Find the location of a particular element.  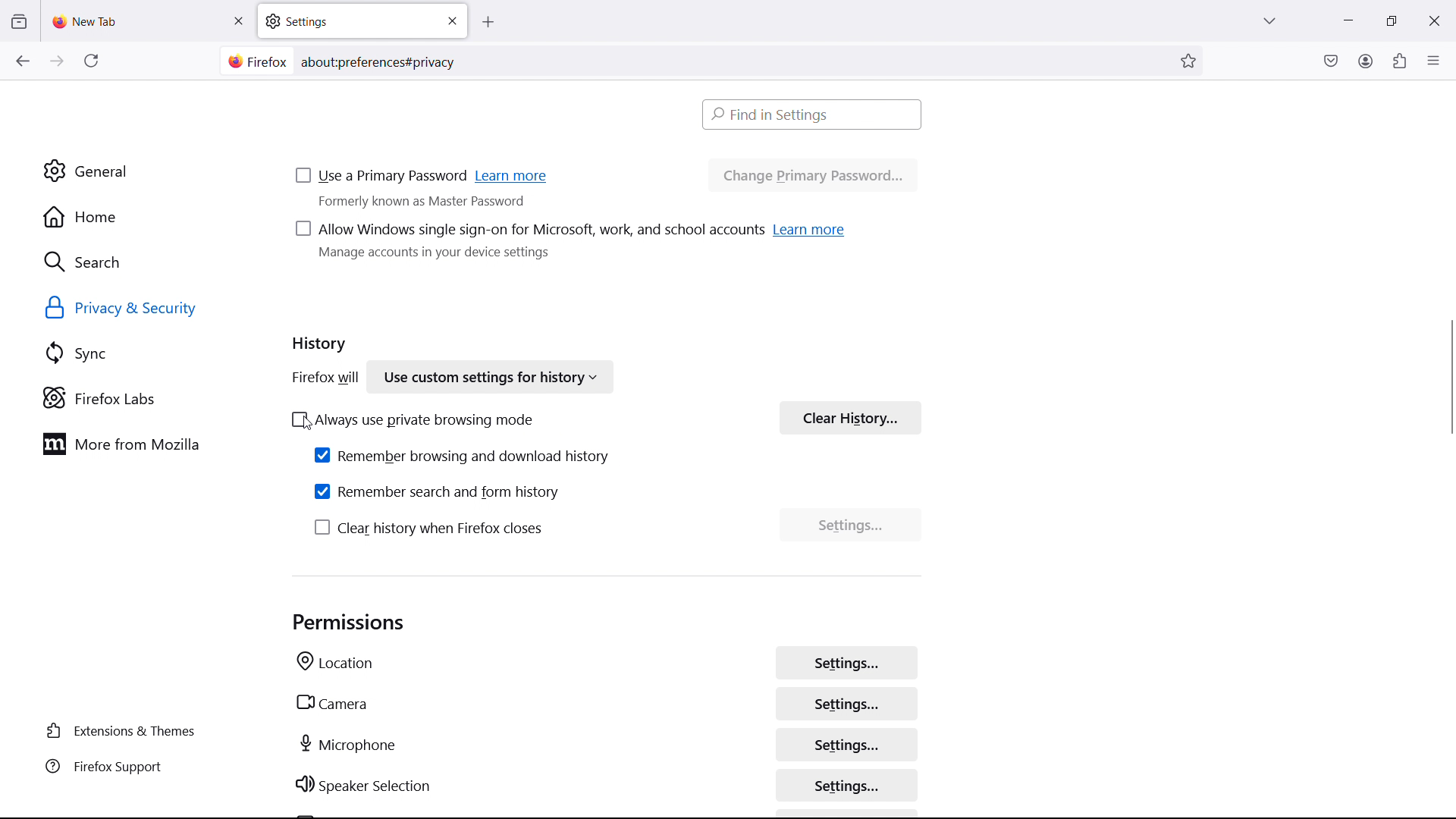

remember search and form history is located at coordinates (438, 491).